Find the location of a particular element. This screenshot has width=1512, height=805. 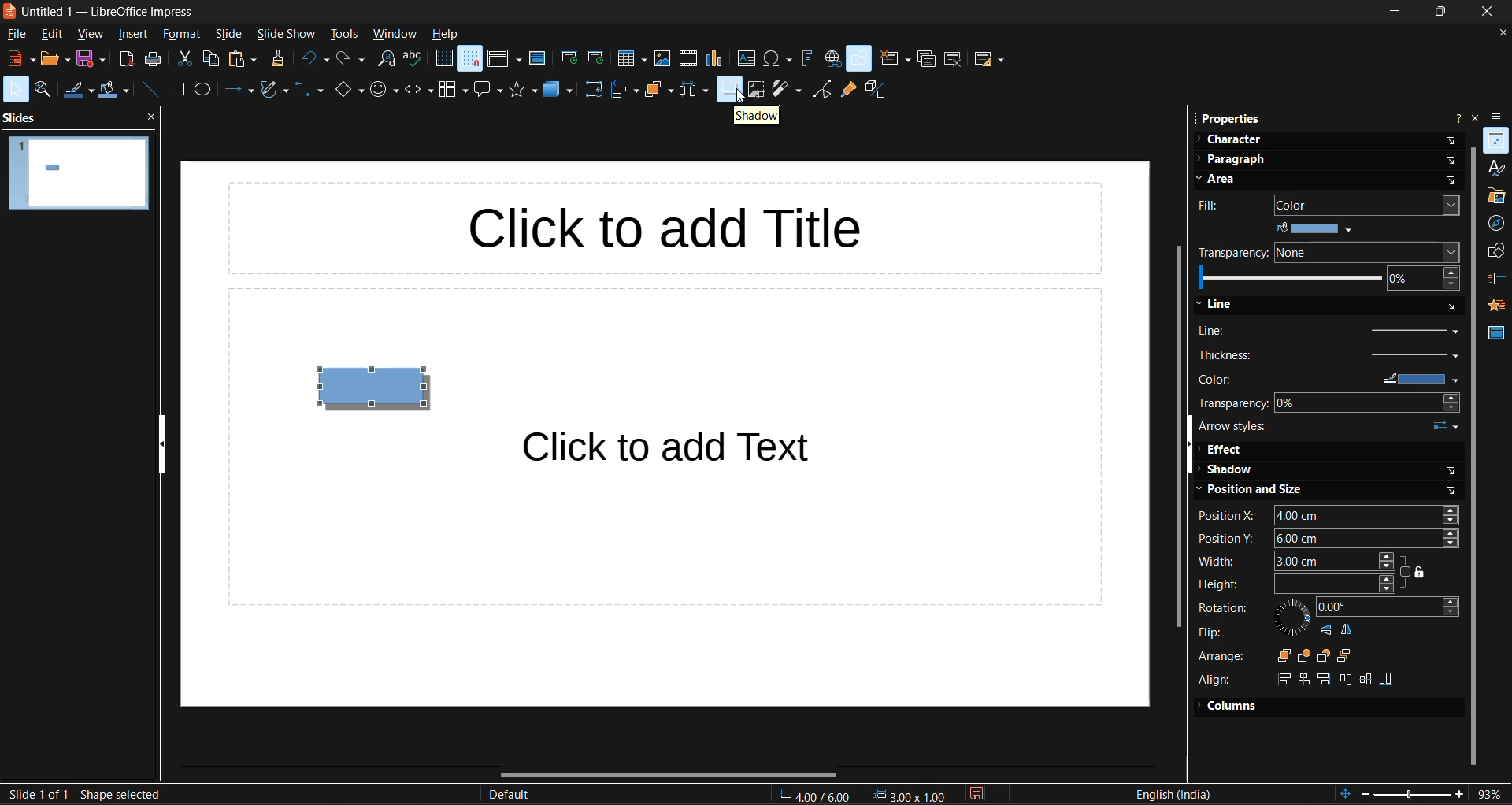

insert fontwork text is located at coordinates (808, 61).